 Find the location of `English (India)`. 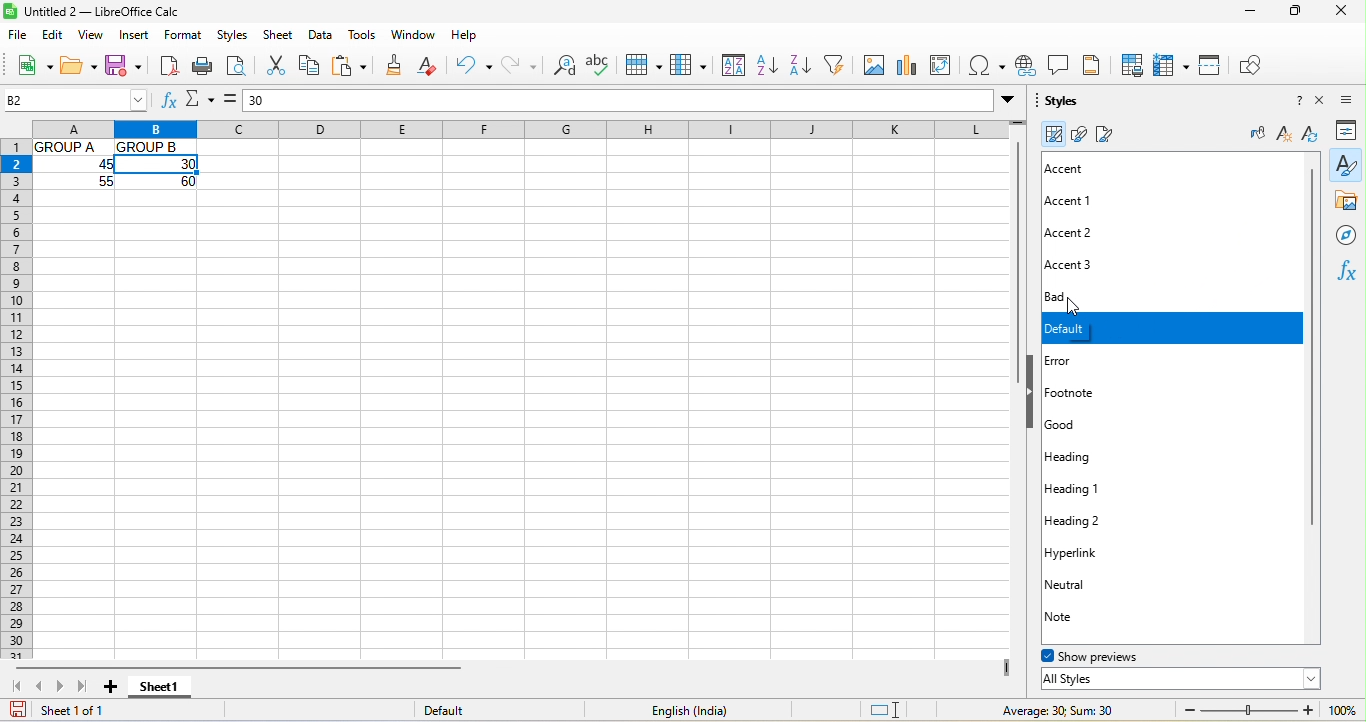

English (India) is located at coordinates (686, 711).